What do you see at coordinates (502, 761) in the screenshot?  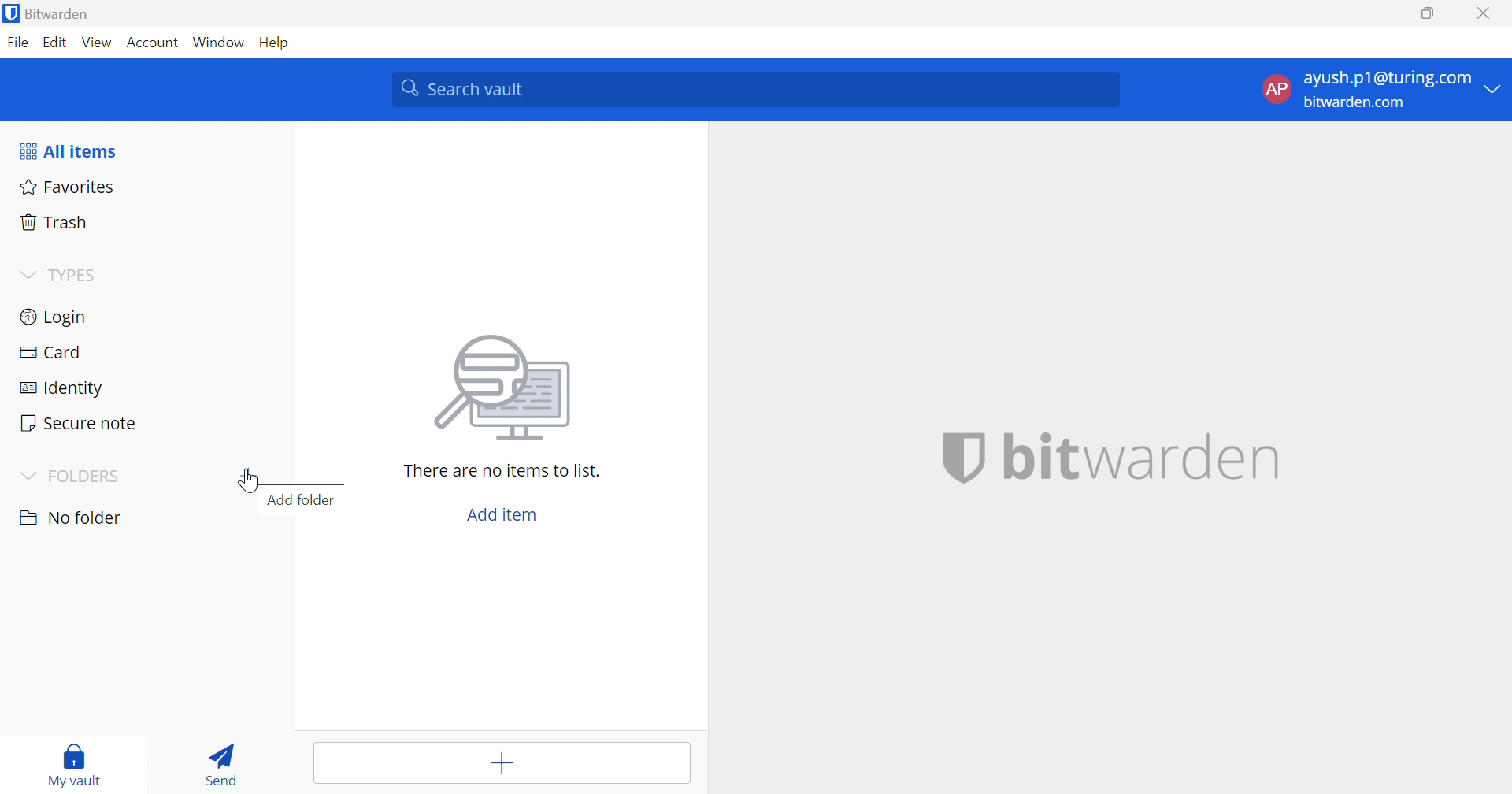 I see `Add item` at bounding box center [502, 761].